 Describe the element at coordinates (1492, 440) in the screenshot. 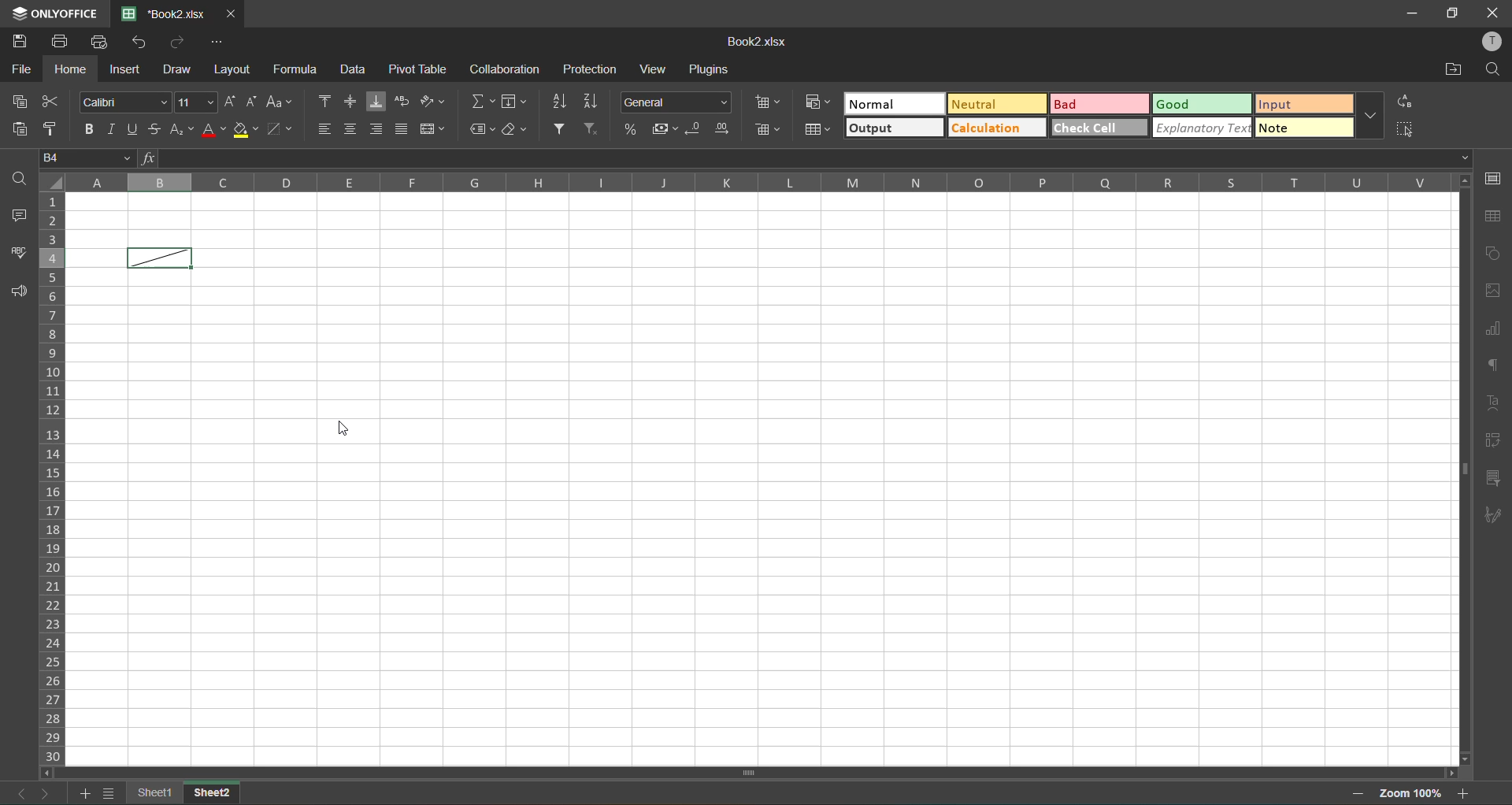

I see `pivot table` at that location.